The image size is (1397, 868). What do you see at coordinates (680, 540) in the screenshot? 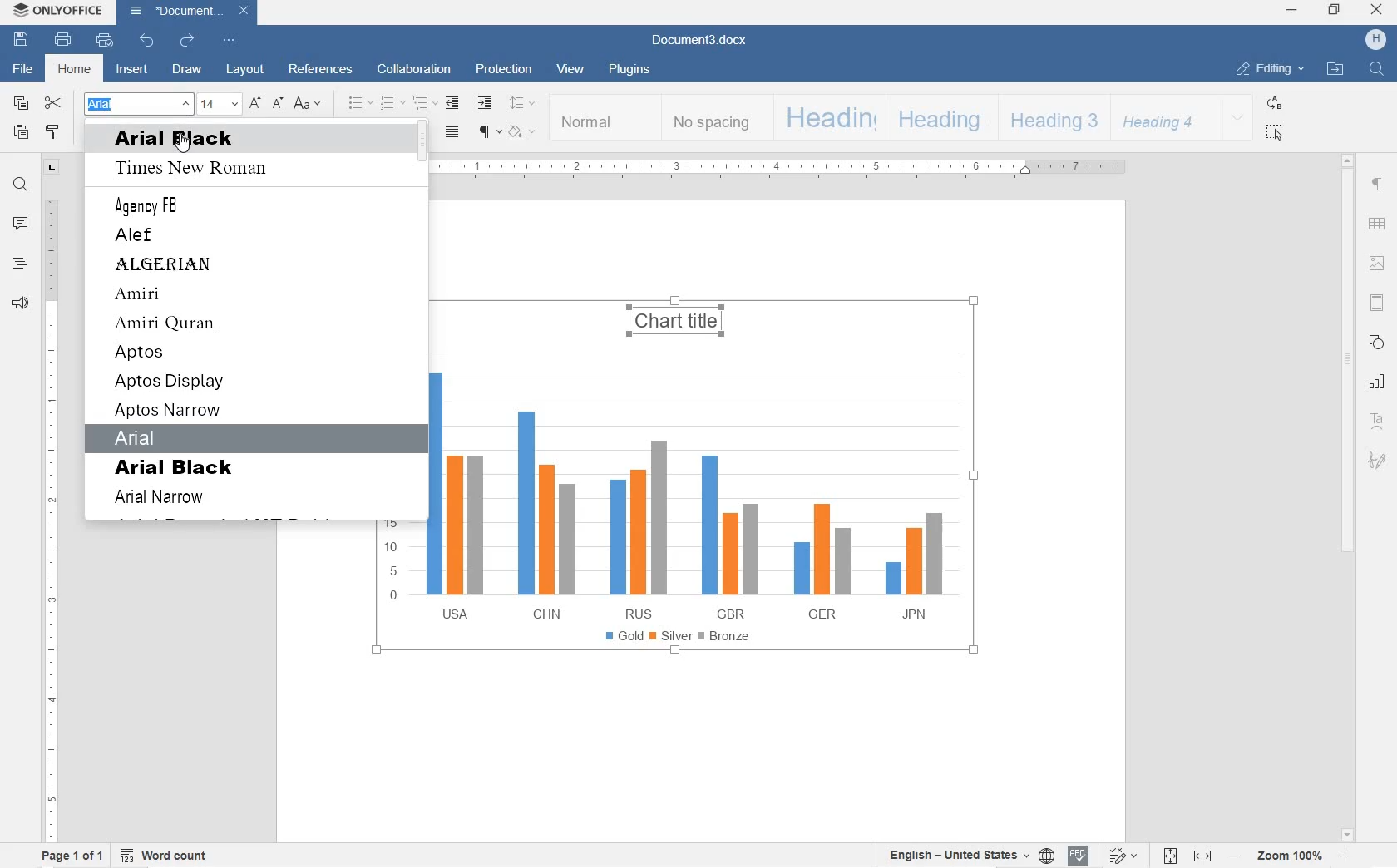
I see `CHART` at bounding box center [680, 540].